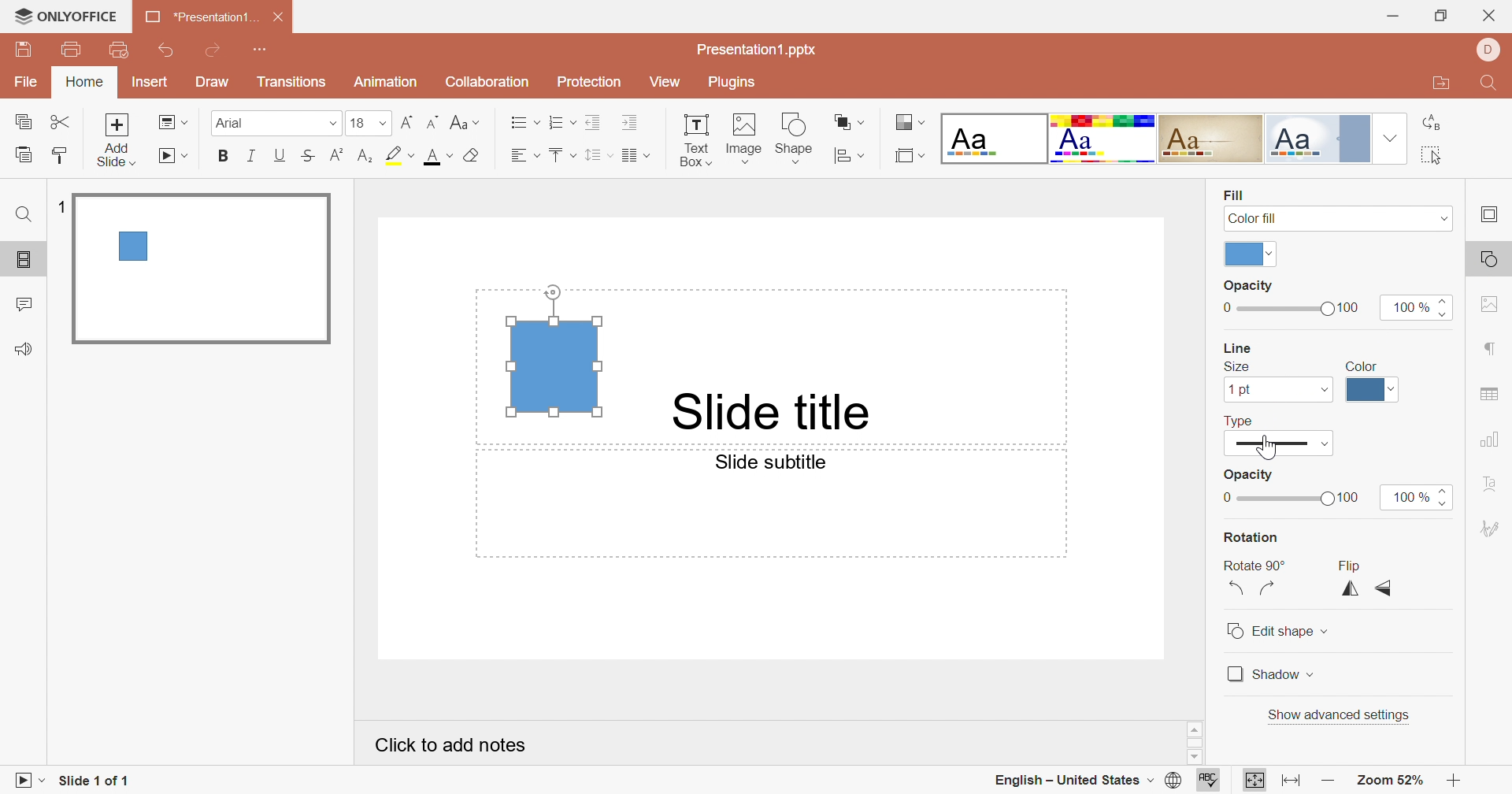  I want to click on Underline, so click(280, 153).